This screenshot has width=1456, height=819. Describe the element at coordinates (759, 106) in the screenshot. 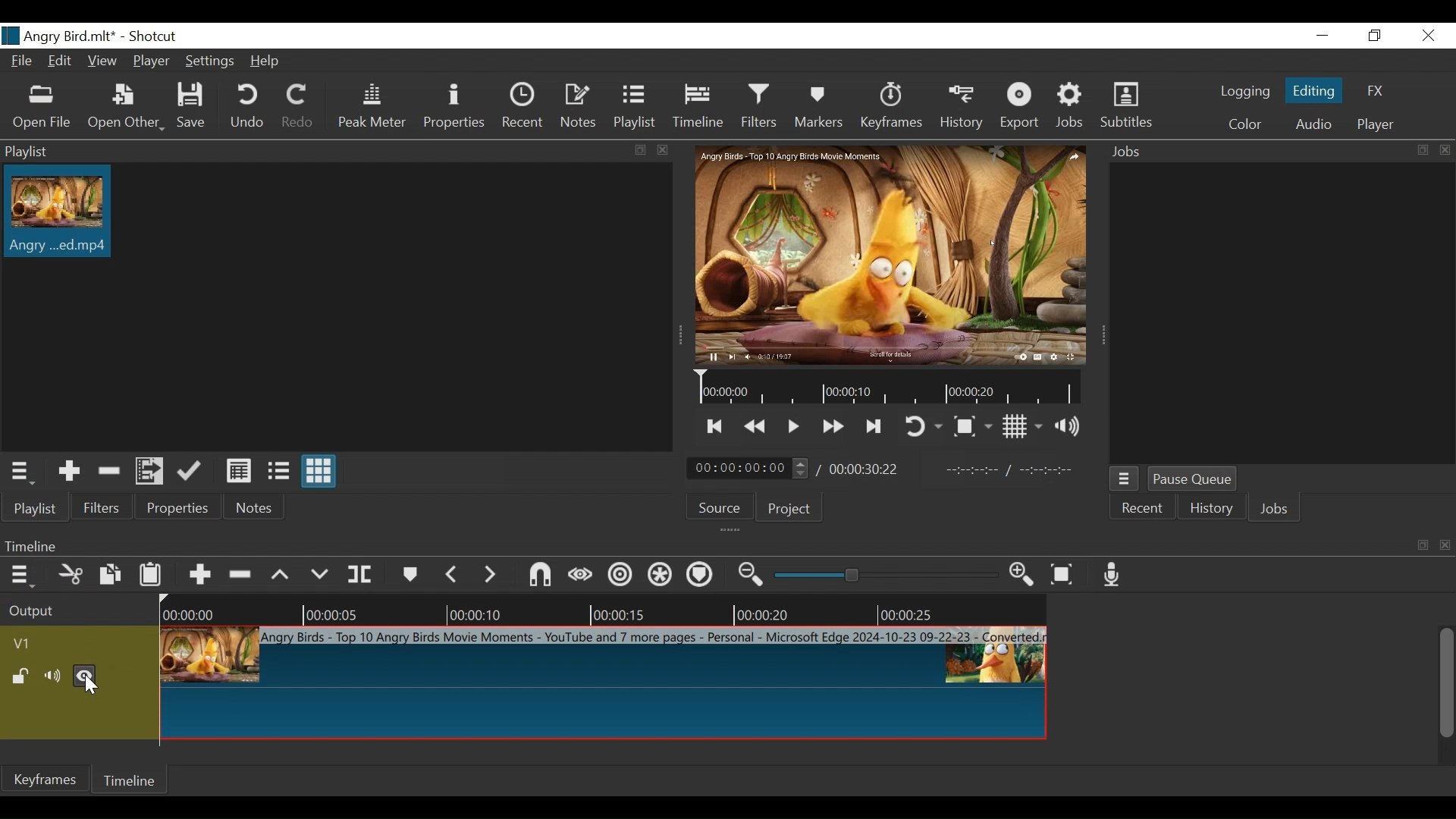

I see `Filters` at that location.